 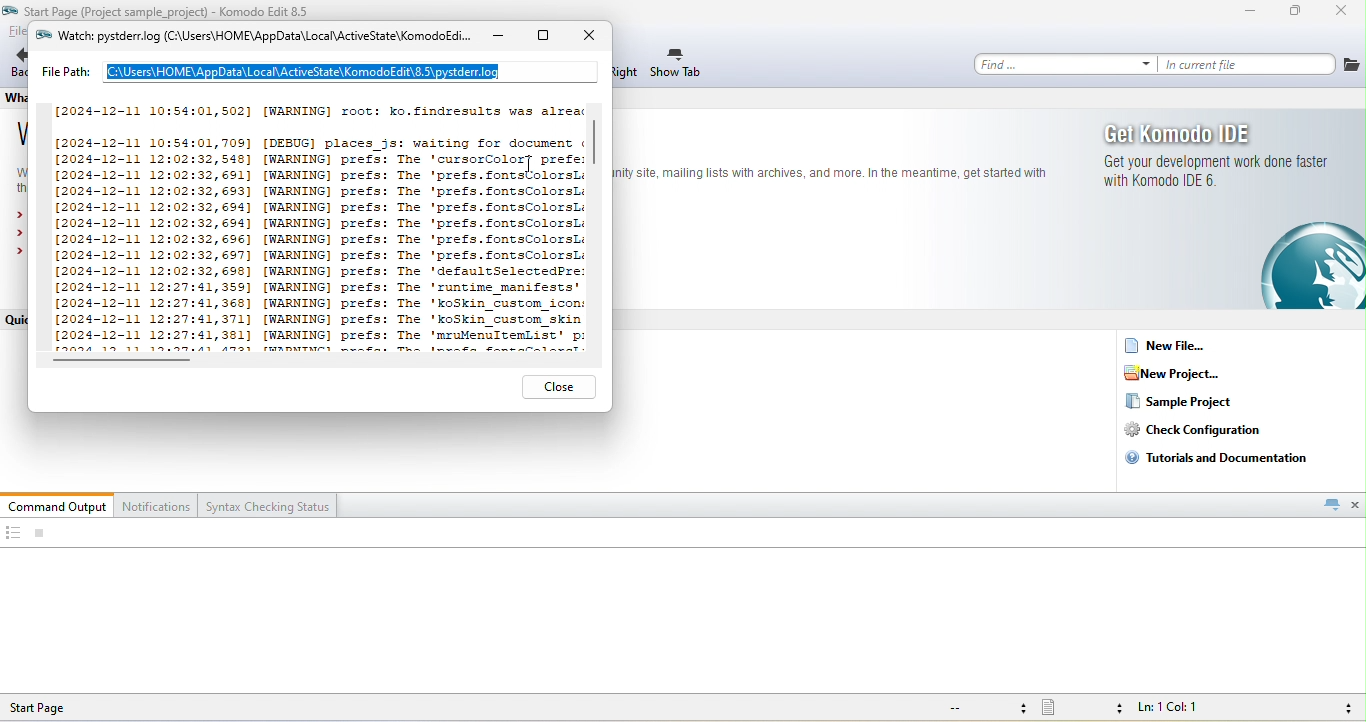 What do you see at coordinates (1174, 345) in the screenshot?
I see `new file` at bounding box center [1174, 345].